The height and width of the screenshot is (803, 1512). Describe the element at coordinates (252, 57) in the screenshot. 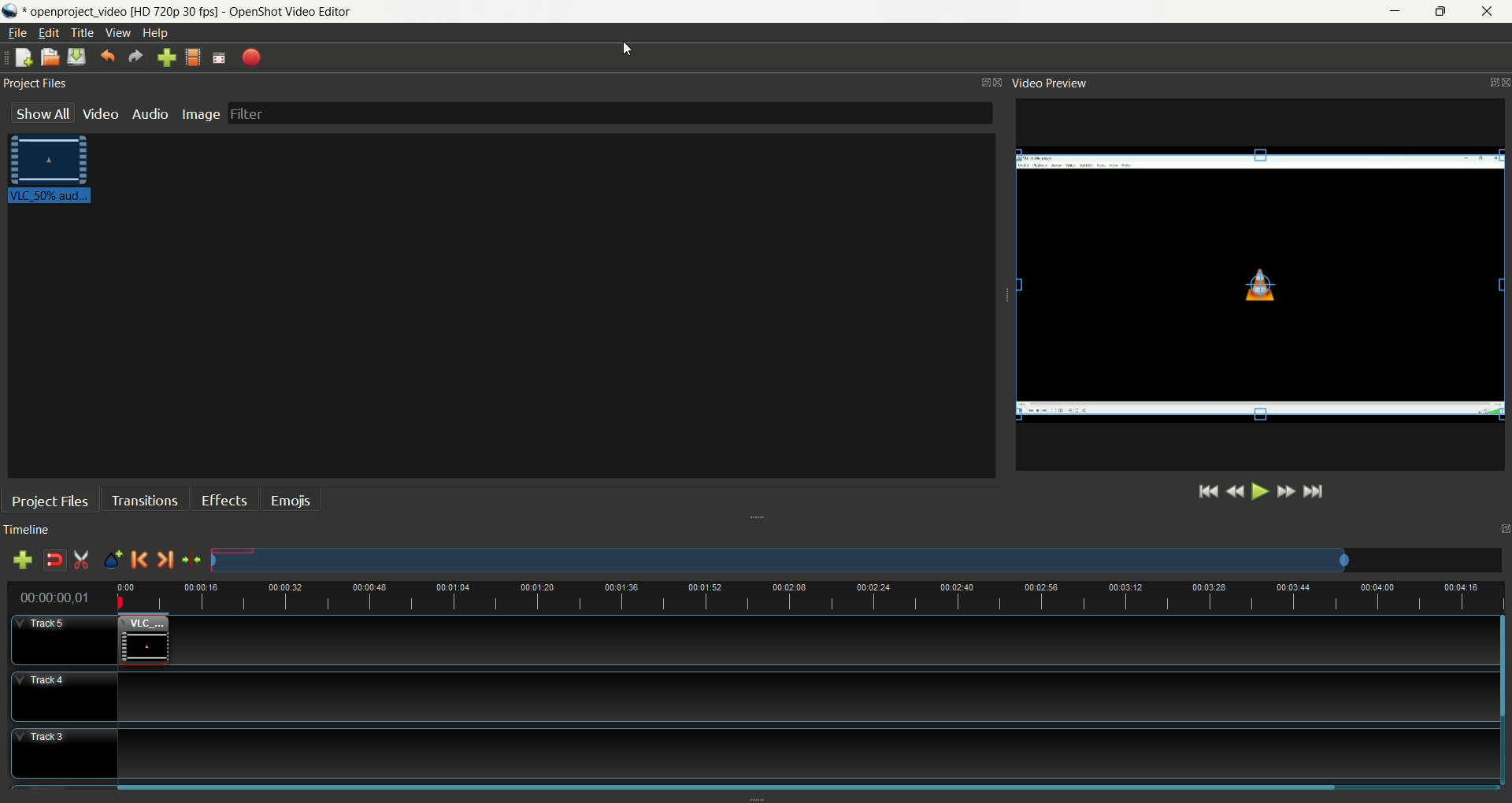

I see `export video` at that location.